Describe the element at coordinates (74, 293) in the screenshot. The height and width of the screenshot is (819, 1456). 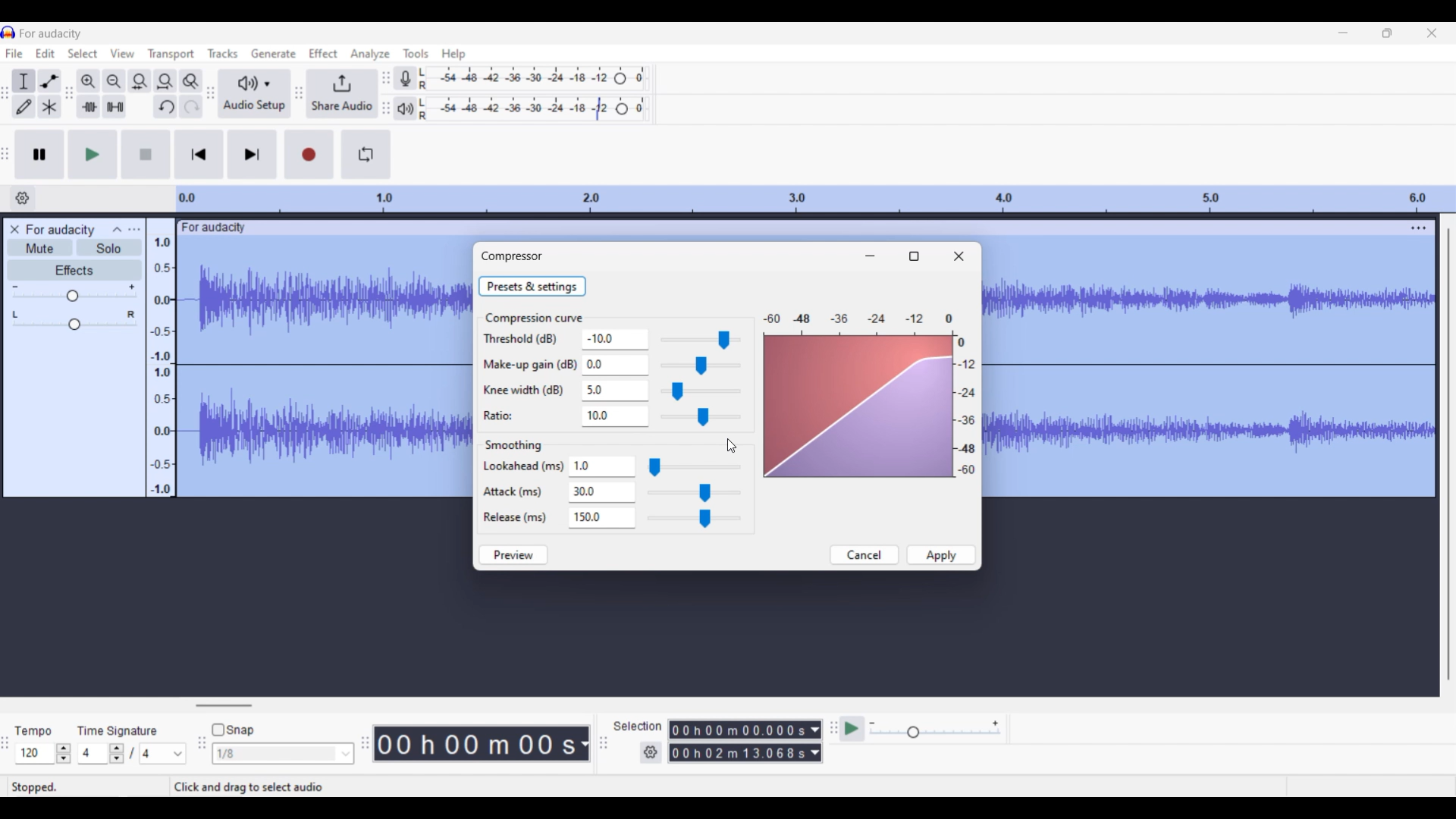
I see `Volume slide` at that location.